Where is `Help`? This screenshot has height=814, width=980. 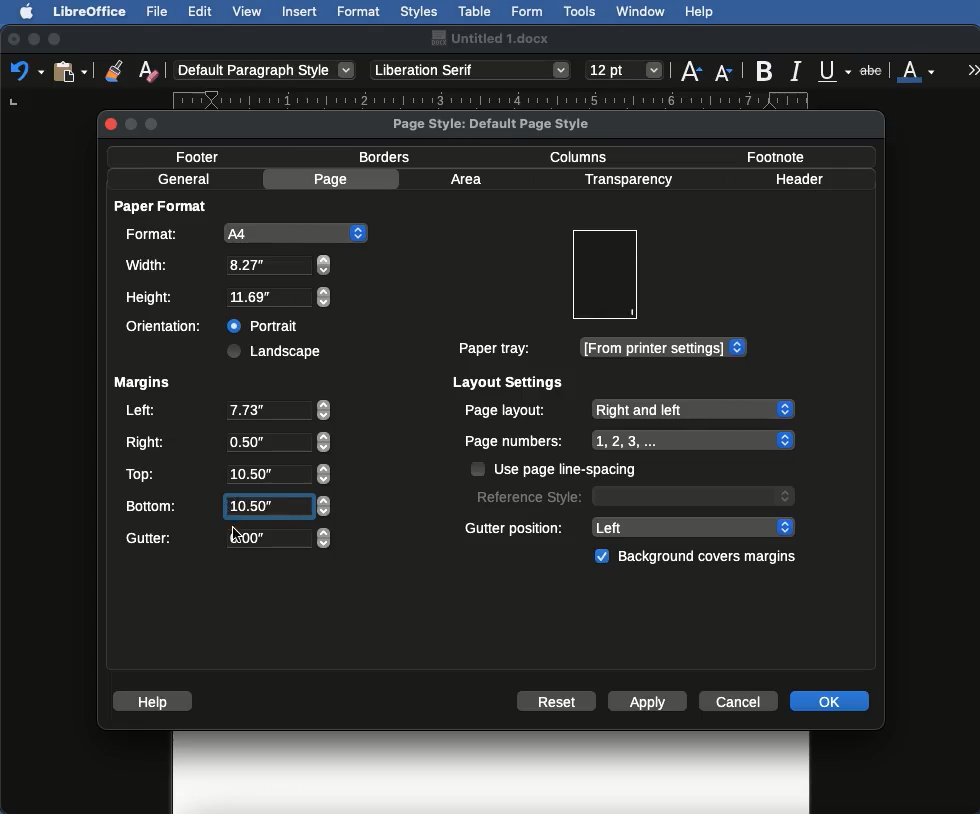
Help is located at coordinates (699, 12).